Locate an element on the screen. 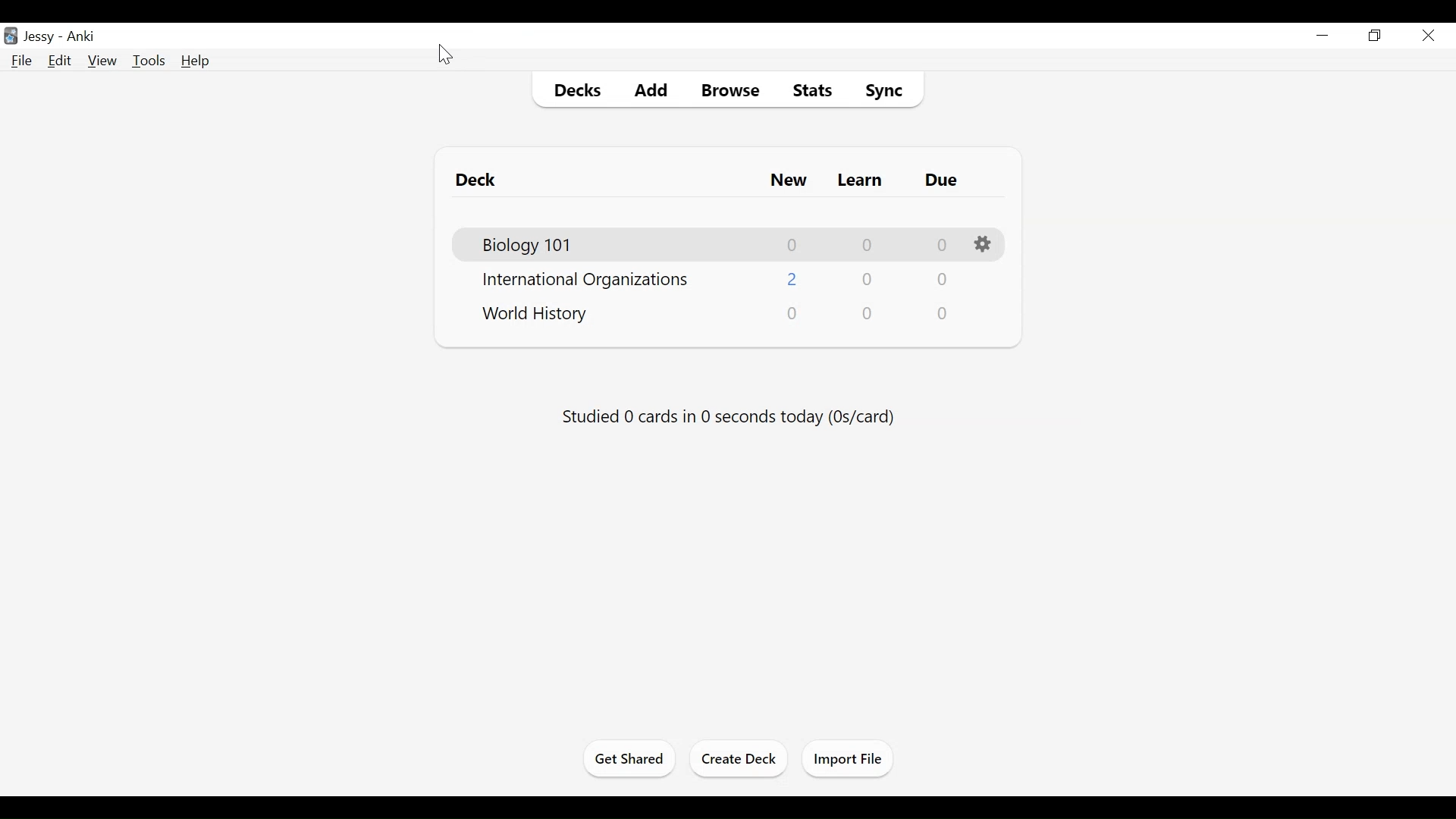  Help is located at coordinates (197, 61).